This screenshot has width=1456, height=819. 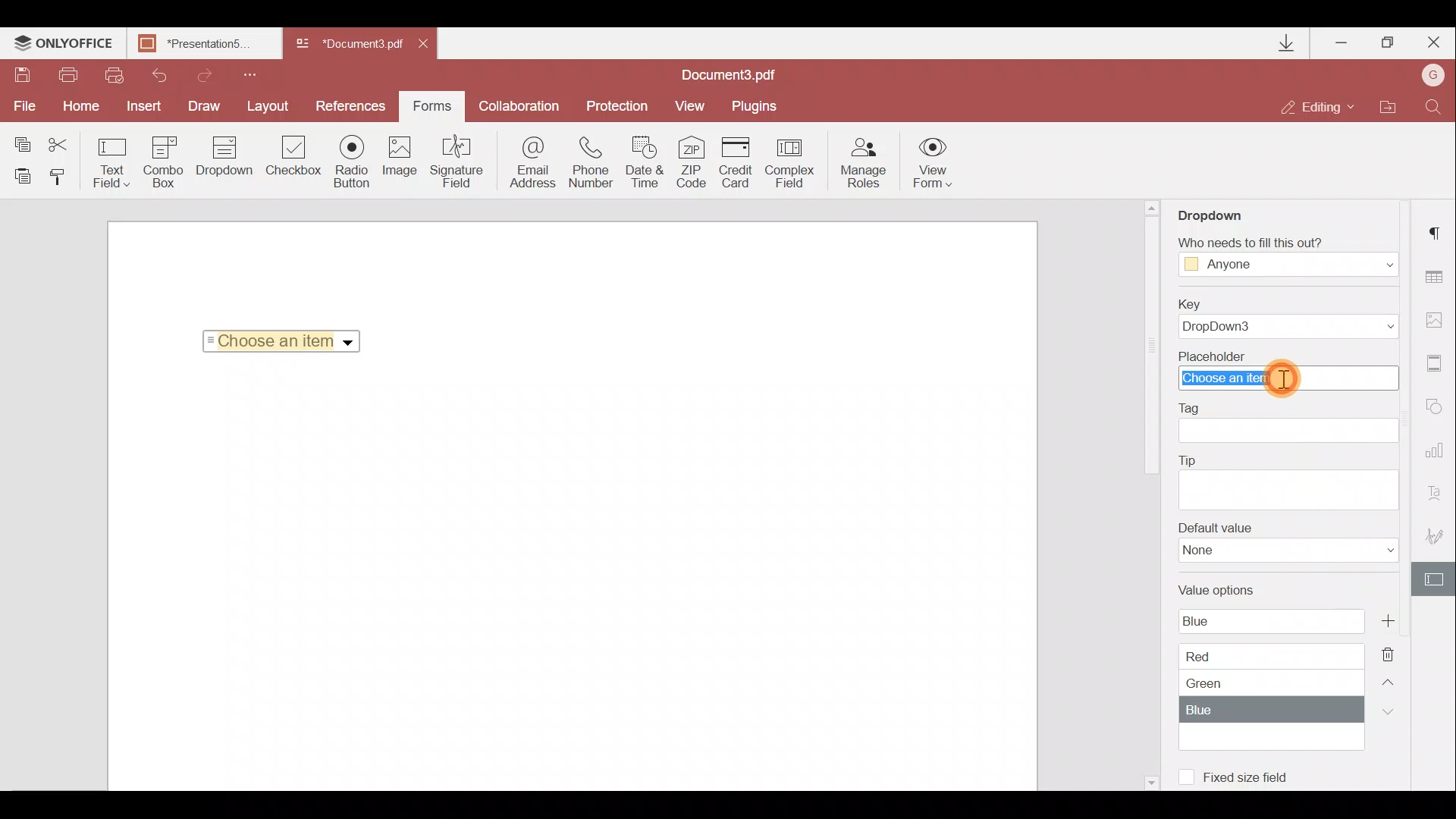 What do you see at coordinates (1295, 424) in the screenshot?
I see `Tag` at bounding box center [1295, 424].